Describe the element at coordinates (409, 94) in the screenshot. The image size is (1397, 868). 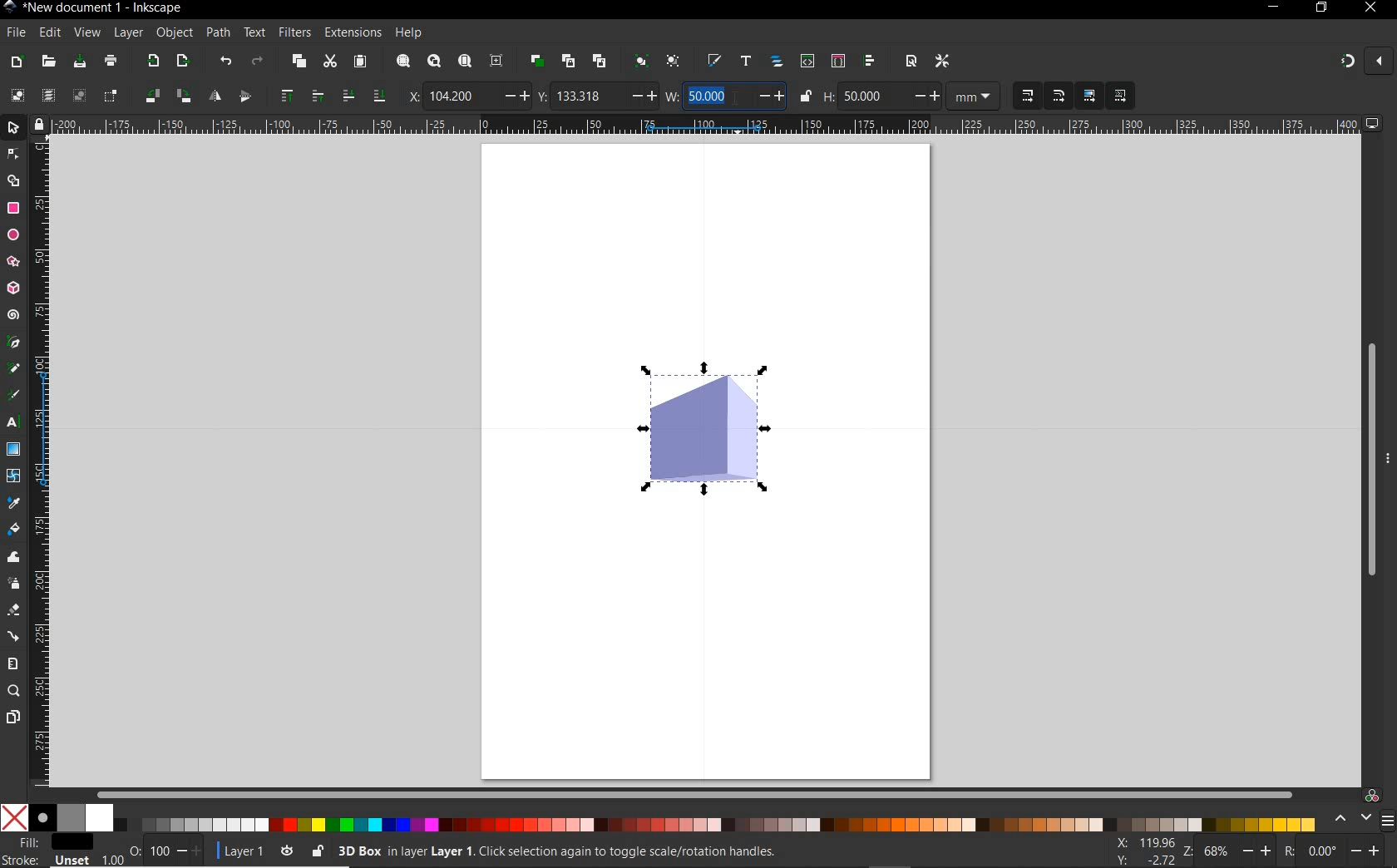
I see `x` at that location.